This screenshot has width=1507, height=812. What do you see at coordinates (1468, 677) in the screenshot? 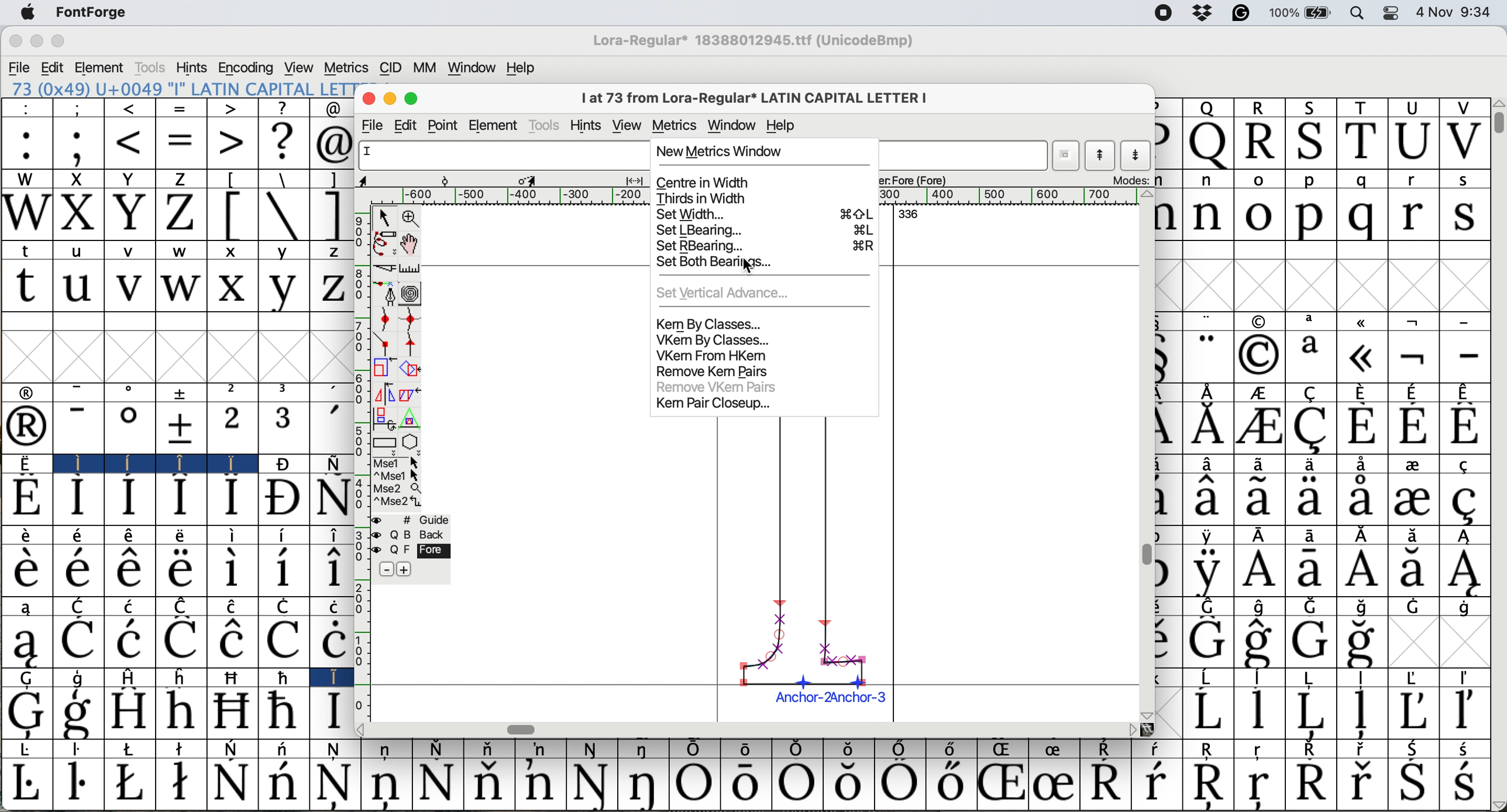
I see `Symbol` at bounding box center [1468, 677].